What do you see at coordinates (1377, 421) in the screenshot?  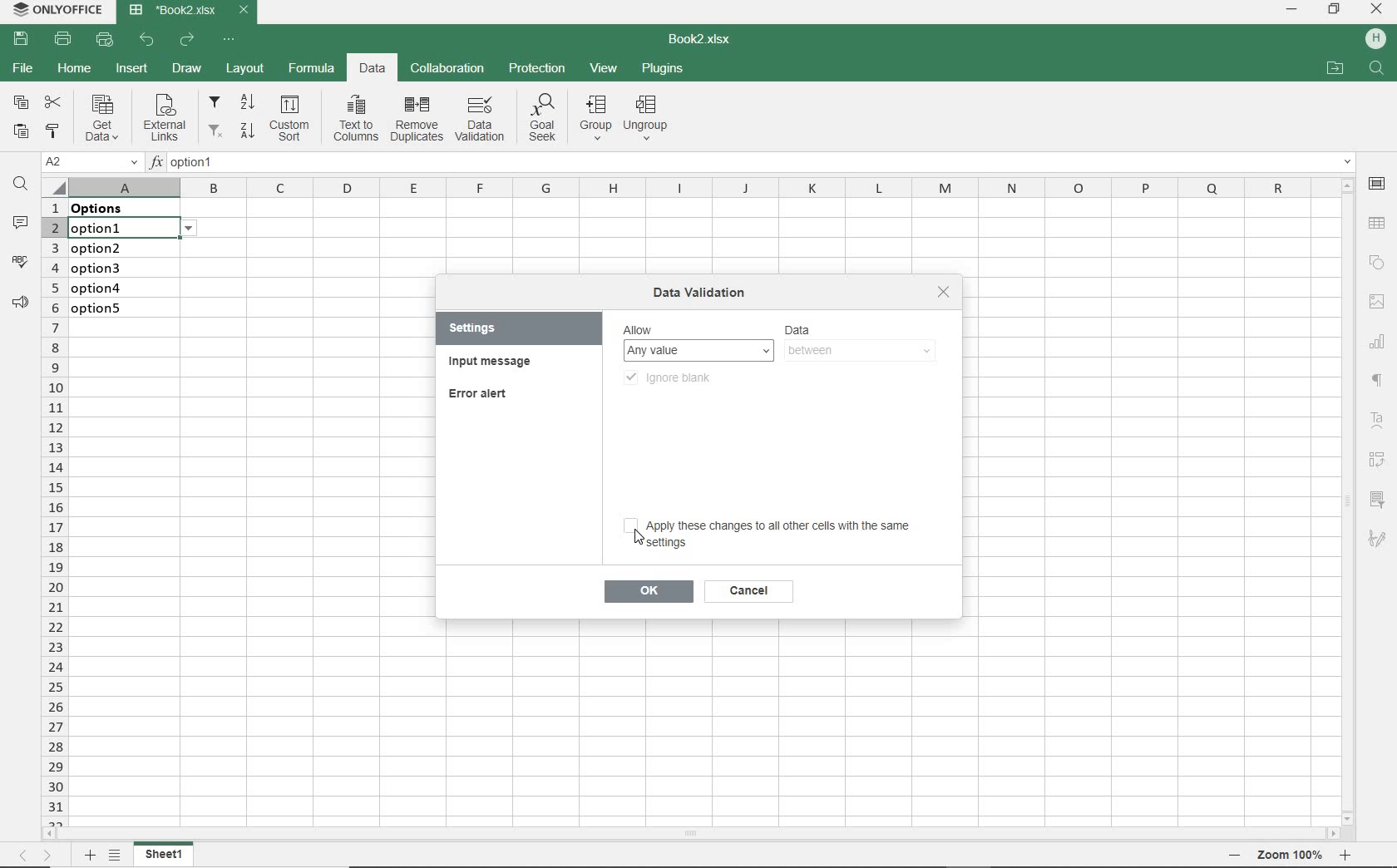 I see `Text` at bounding box center [1377, 421].